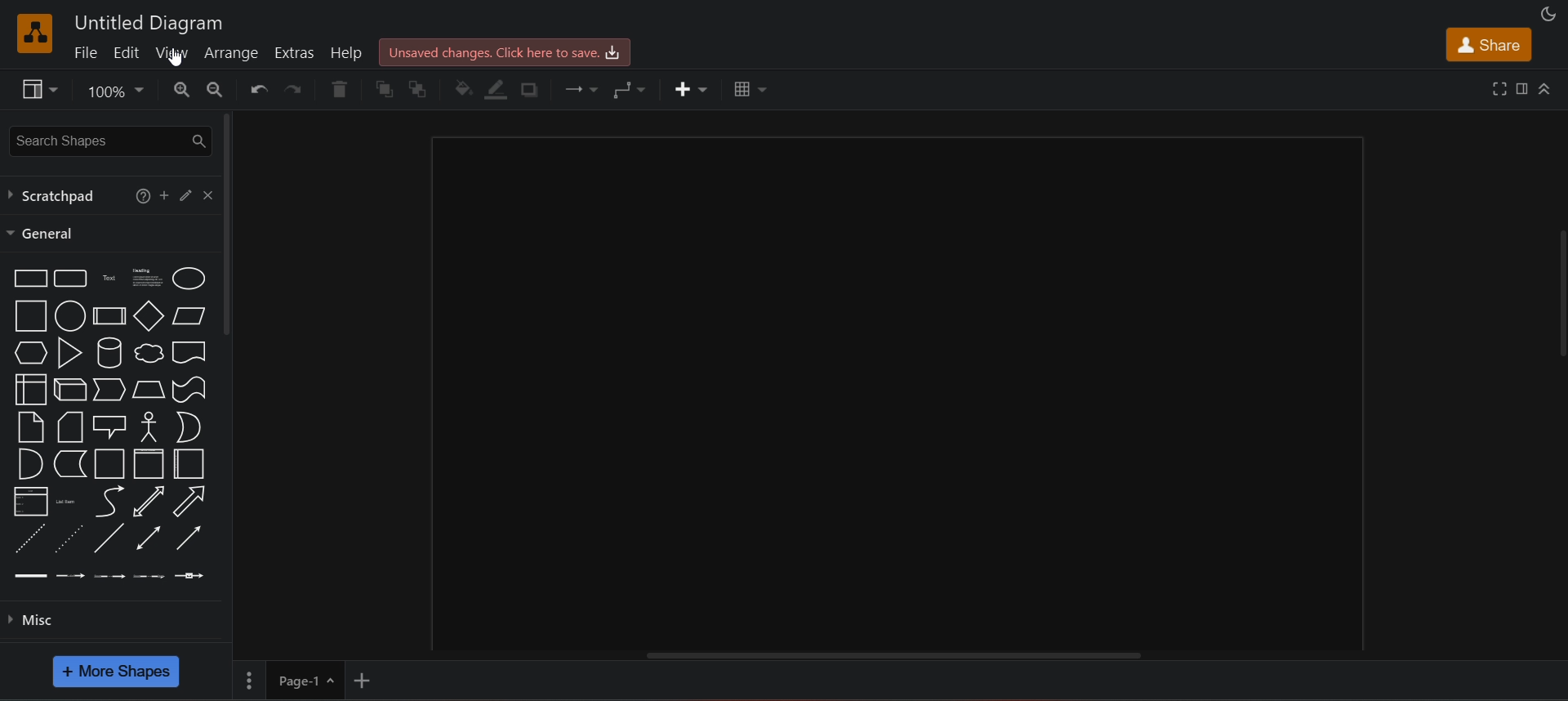  I want to click on trapezoid, so click(149, 390).